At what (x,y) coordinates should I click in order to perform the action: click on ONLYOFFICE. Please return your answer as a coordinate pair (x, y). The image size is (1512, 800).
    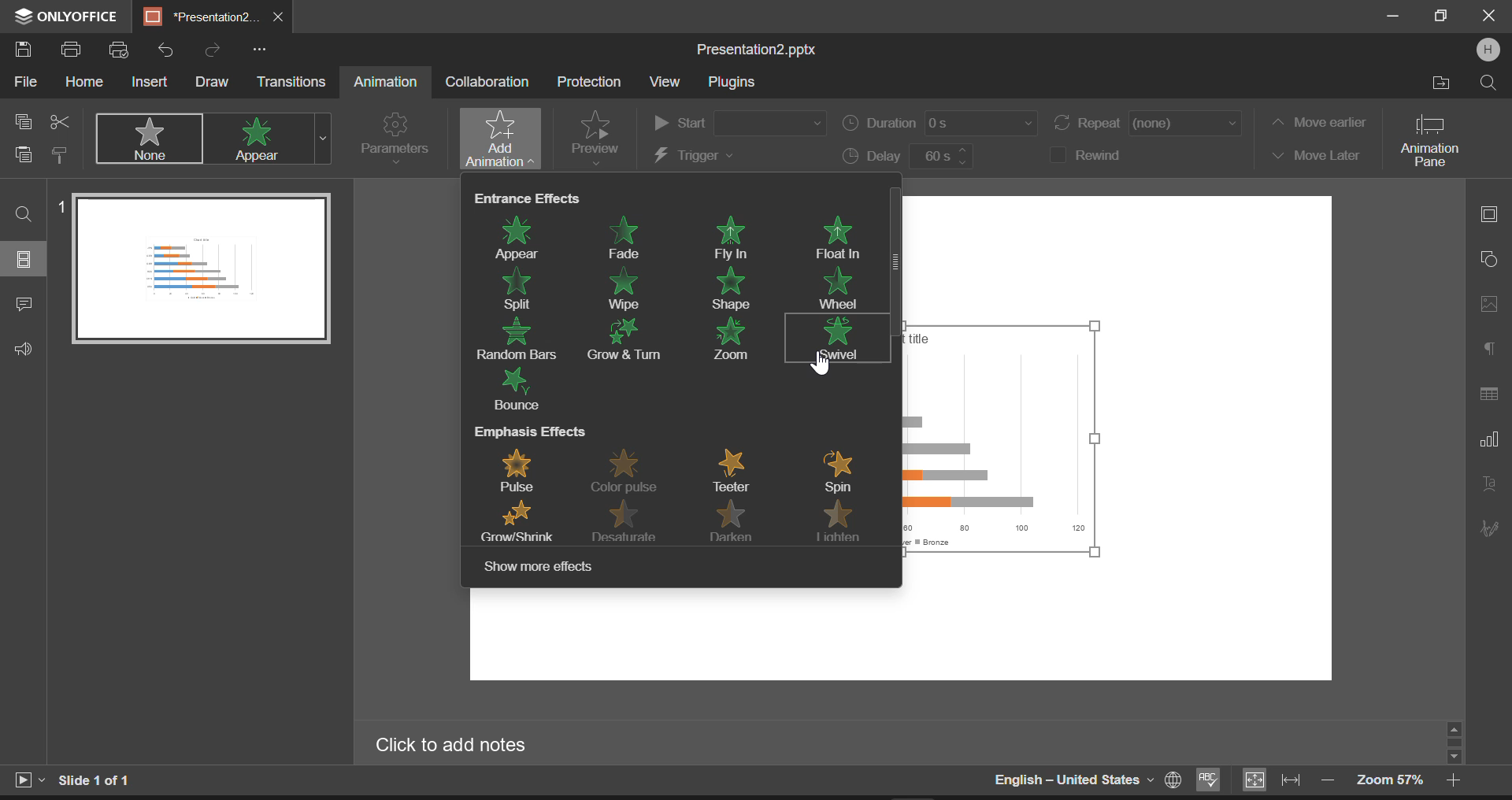
    Looking at the image, I should click on (63, 17).